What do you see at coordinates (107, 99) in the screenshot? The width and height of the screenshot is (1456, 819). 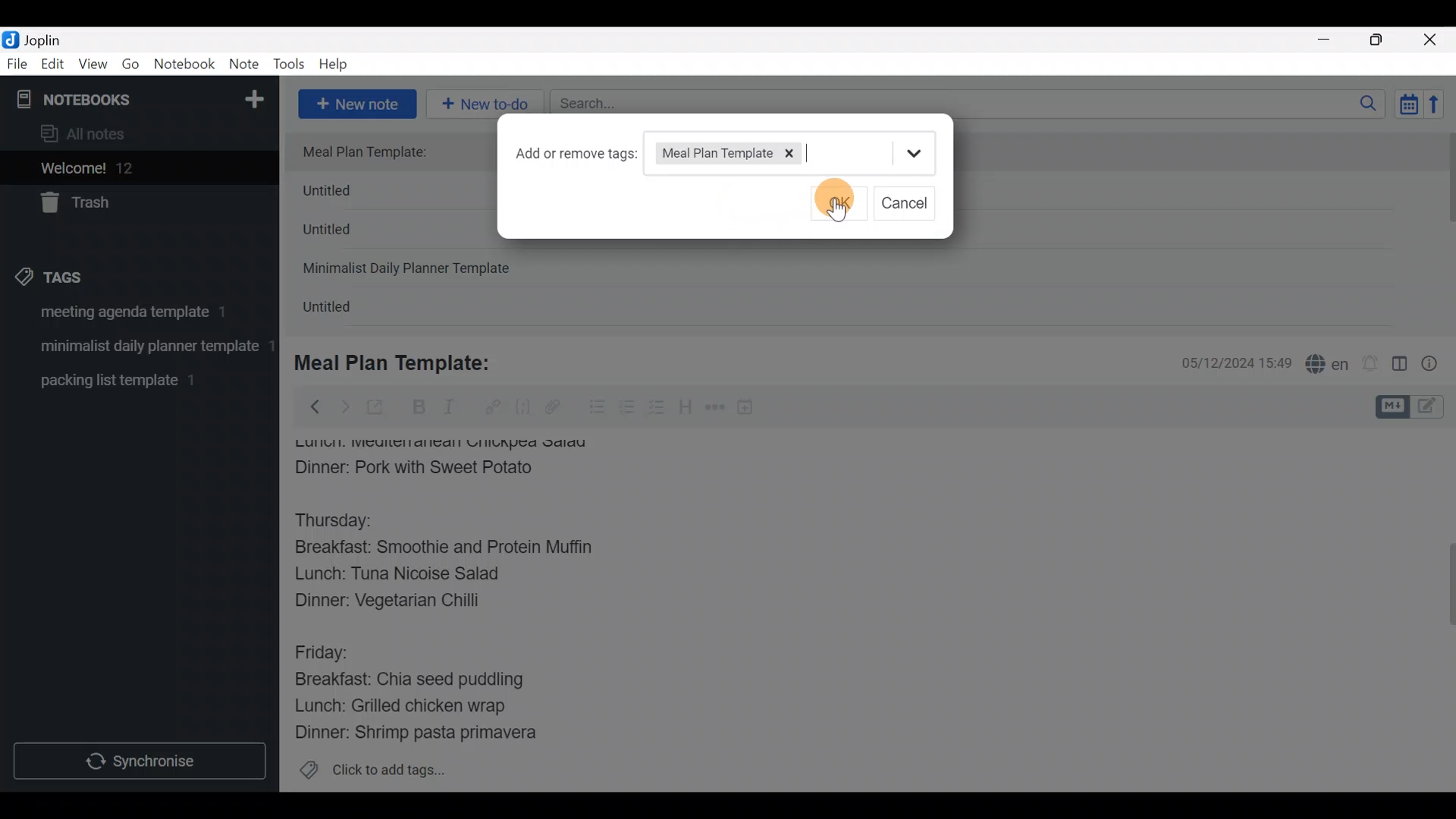 I see `Notebooks` at bounding box center [107, 99].